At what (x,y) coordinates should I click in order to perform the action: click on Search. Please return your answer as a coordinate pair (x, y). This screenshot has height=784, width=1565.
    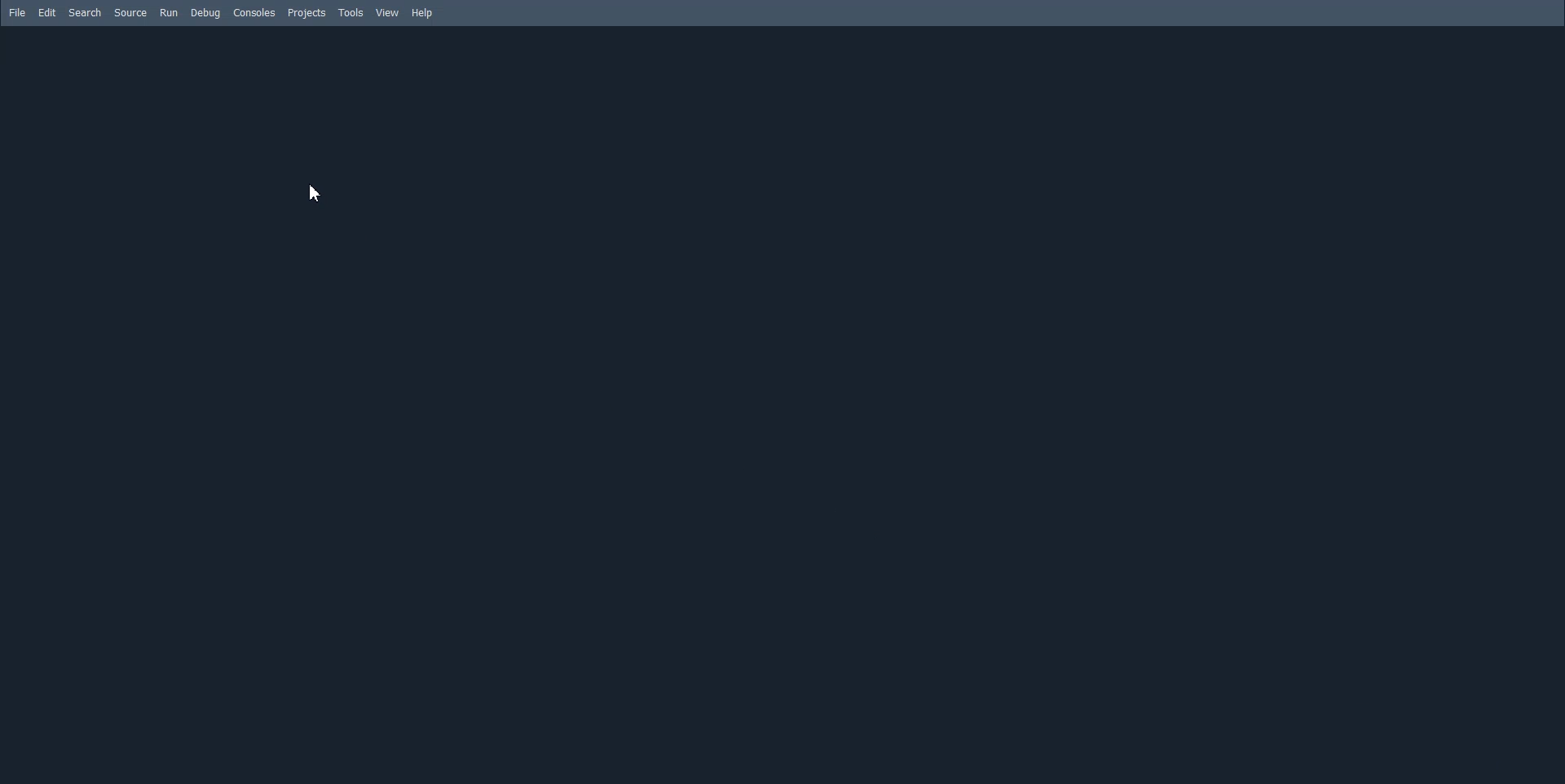
    Looking at the image, I should click on (85, 12).